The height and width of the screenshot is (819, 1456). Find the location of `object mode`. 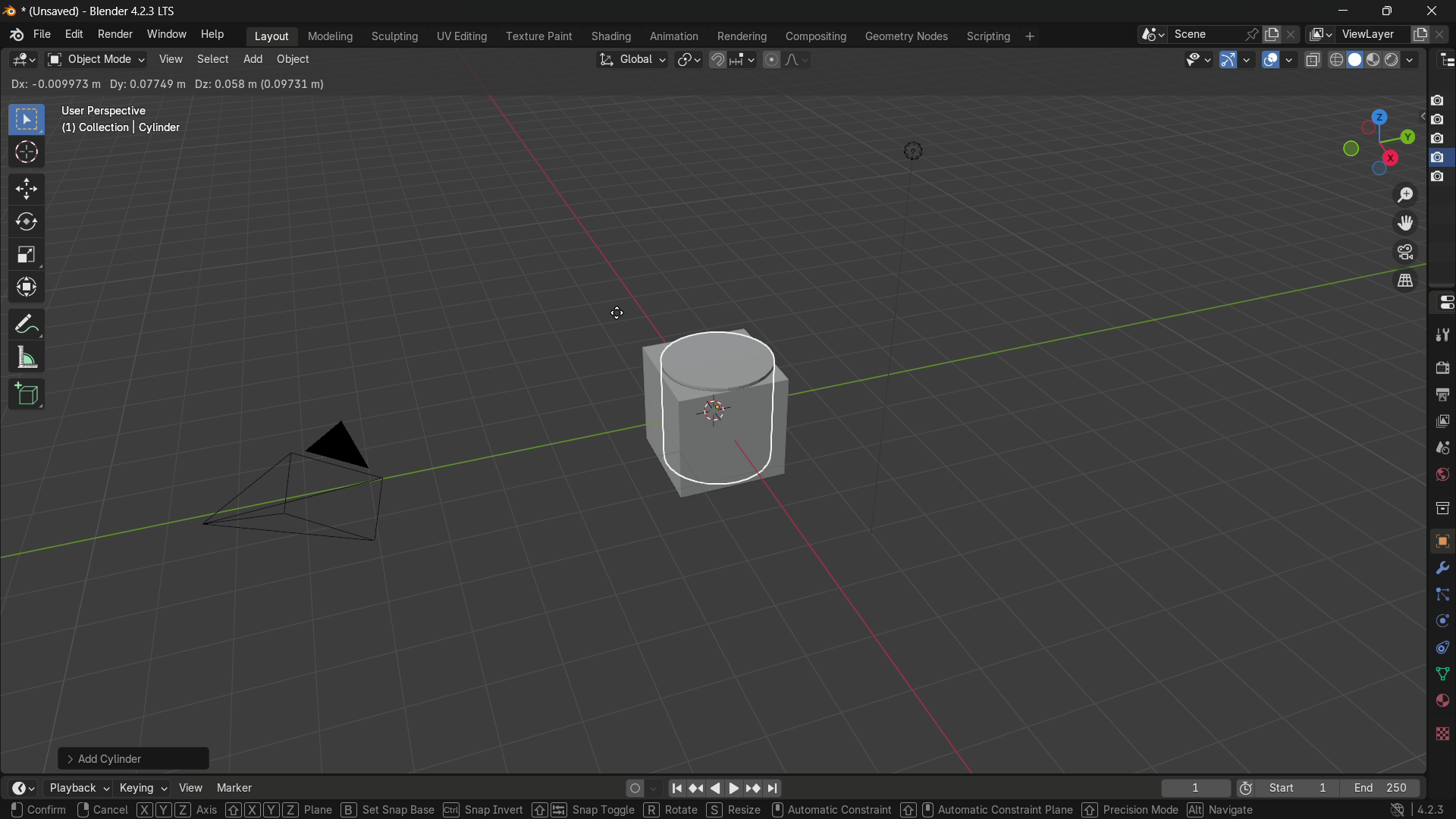

object mode is located at coordinates (95, 59).